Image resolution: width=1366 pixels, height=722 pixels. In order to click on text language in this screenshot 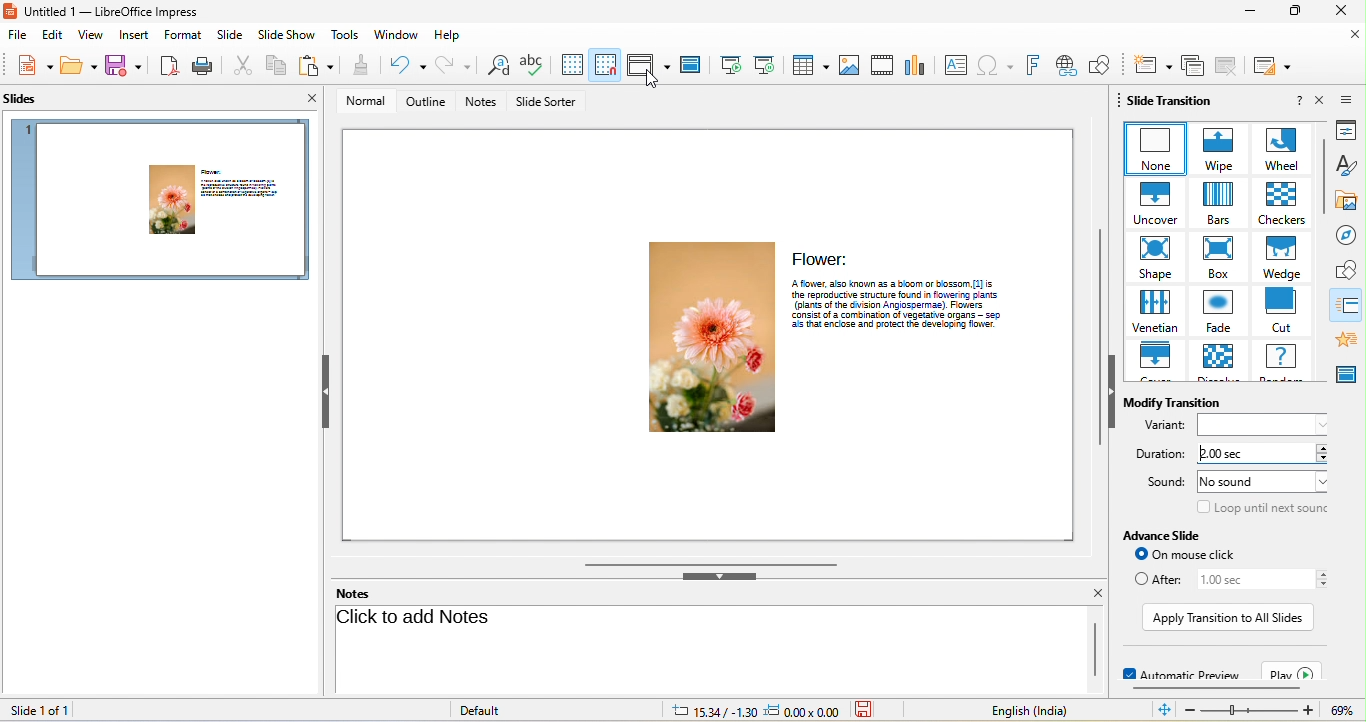, I will do `click(1040, 712)`.